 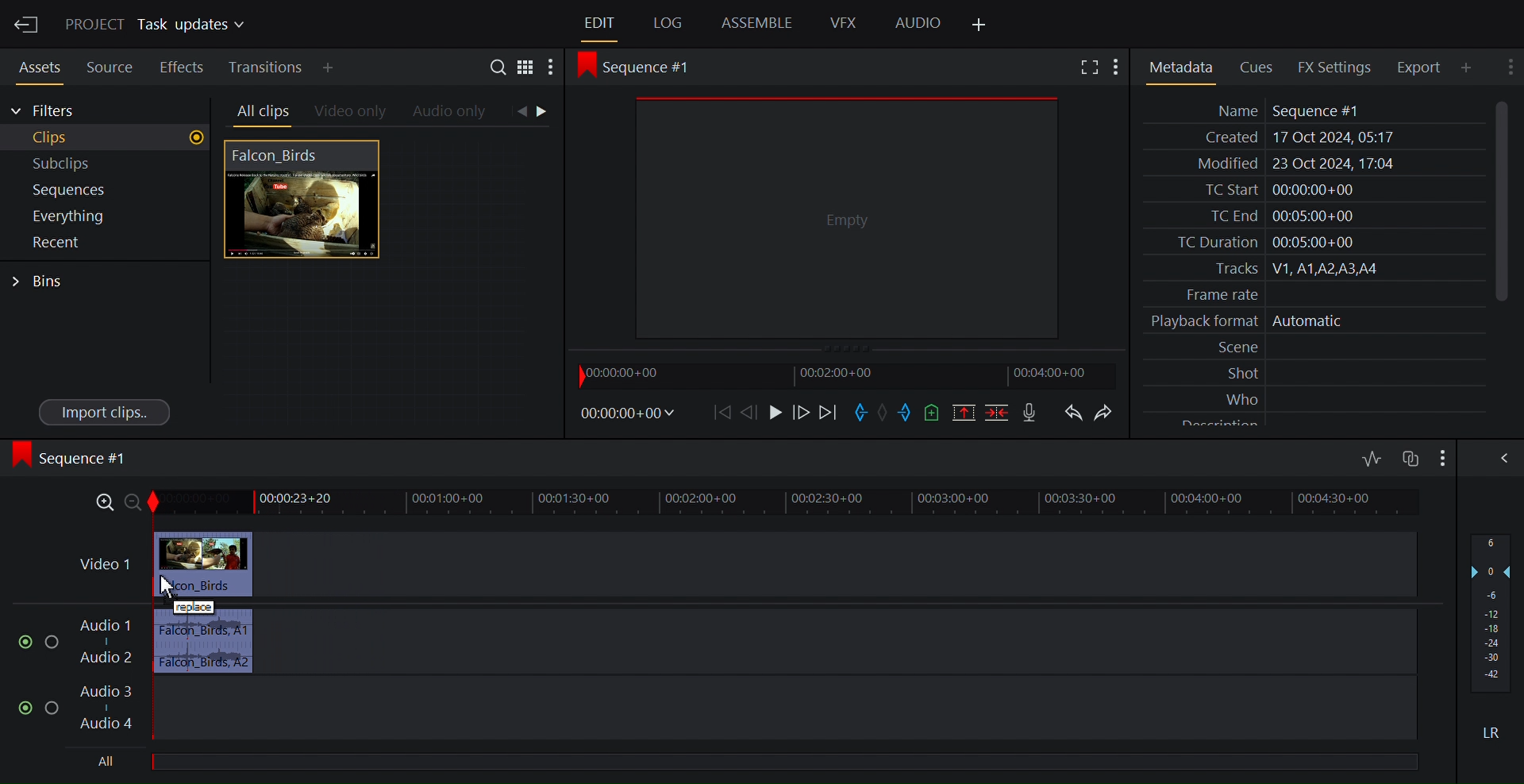 What do you see at coordinates (1441, 457) in the screenshot?
I see `Show/Hide audio full mix` at bounding box center [1441, 457].